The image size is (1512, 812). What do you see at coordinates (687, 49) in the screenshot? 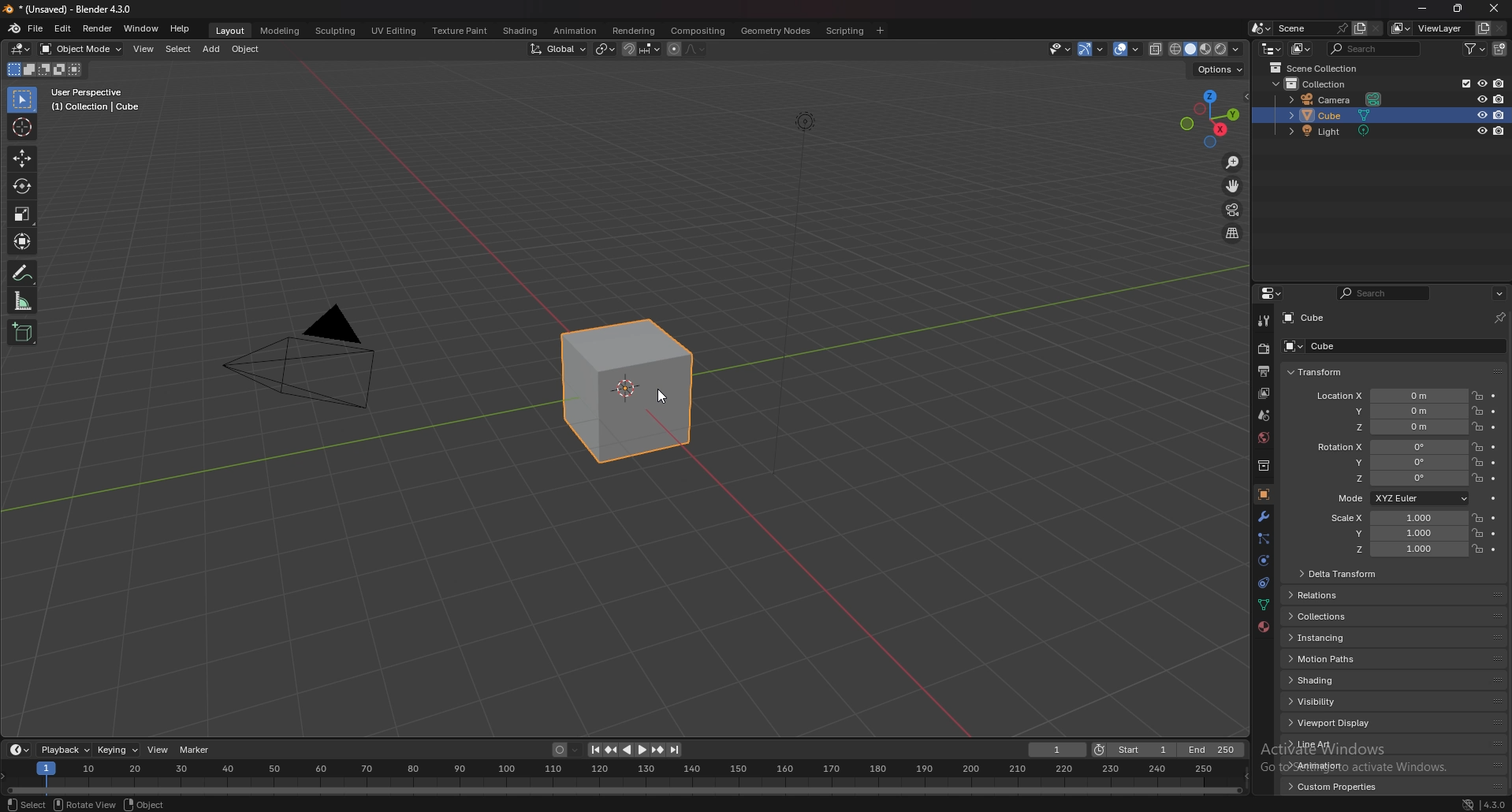
I see `proportional editing objcets` at bounding box center [687, 49].